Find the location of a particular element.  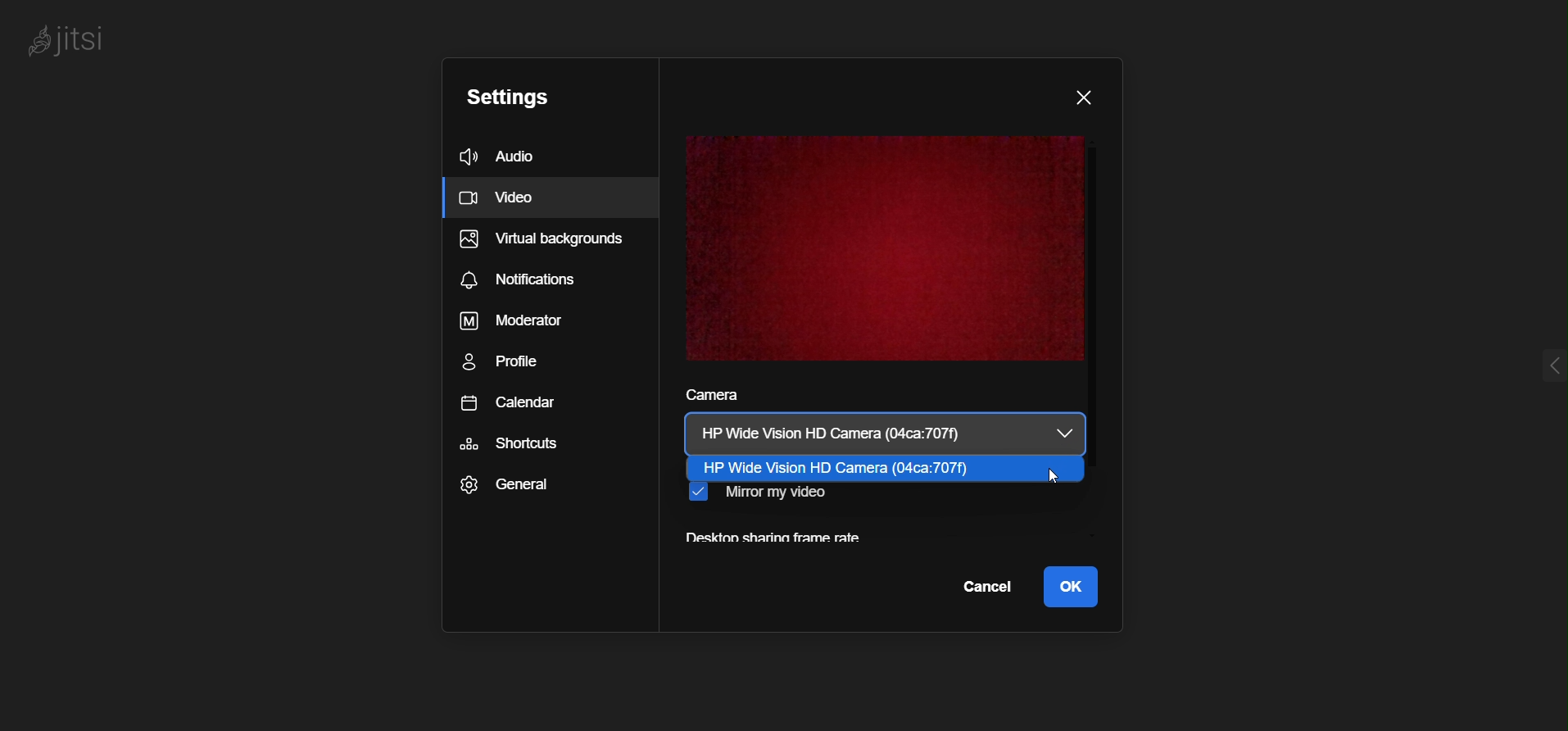

settings is located at coordinates (501, 99).